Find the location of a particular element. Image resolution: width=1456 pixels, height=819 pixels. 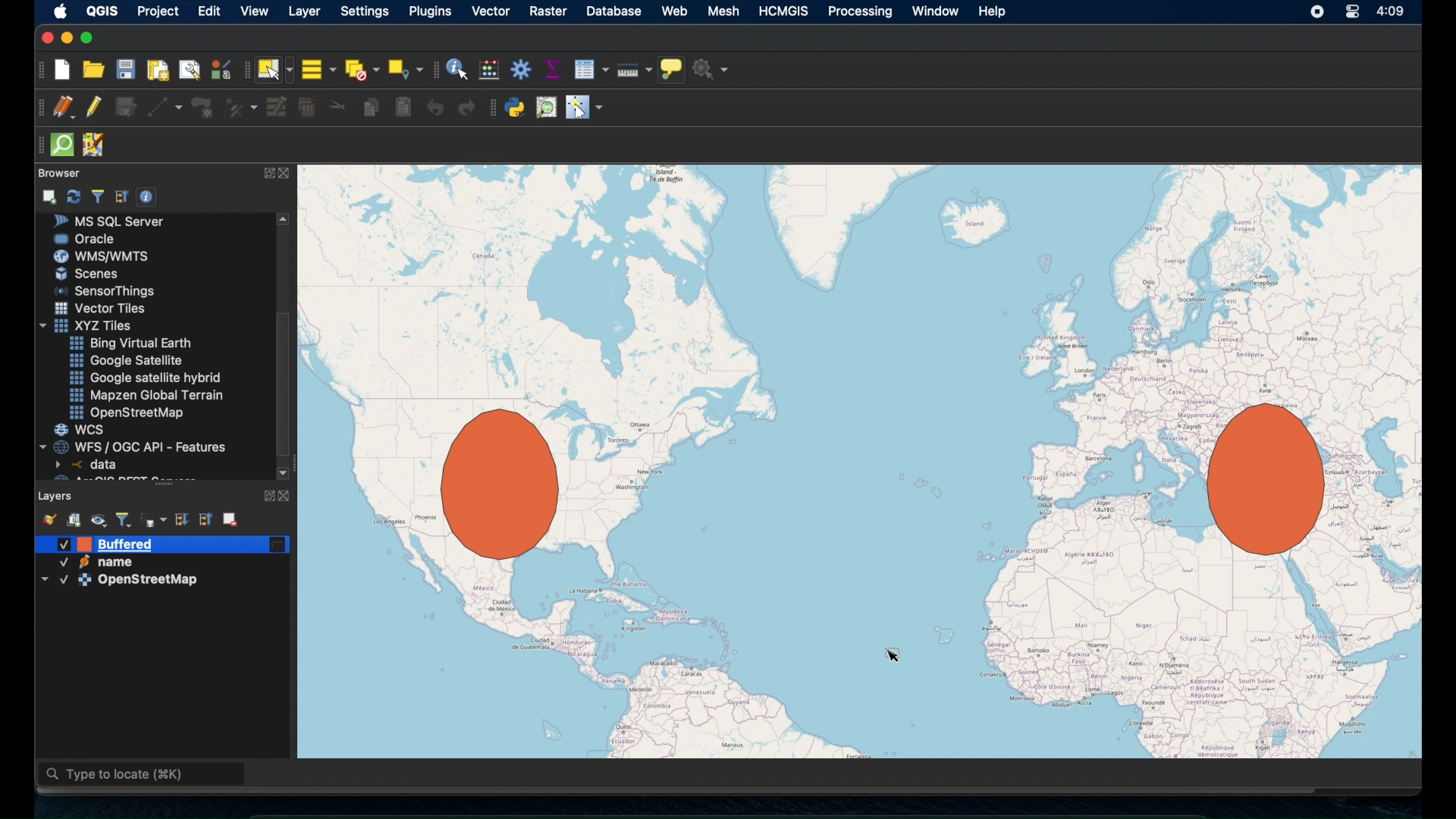

window is located at coordinates (934, 11).